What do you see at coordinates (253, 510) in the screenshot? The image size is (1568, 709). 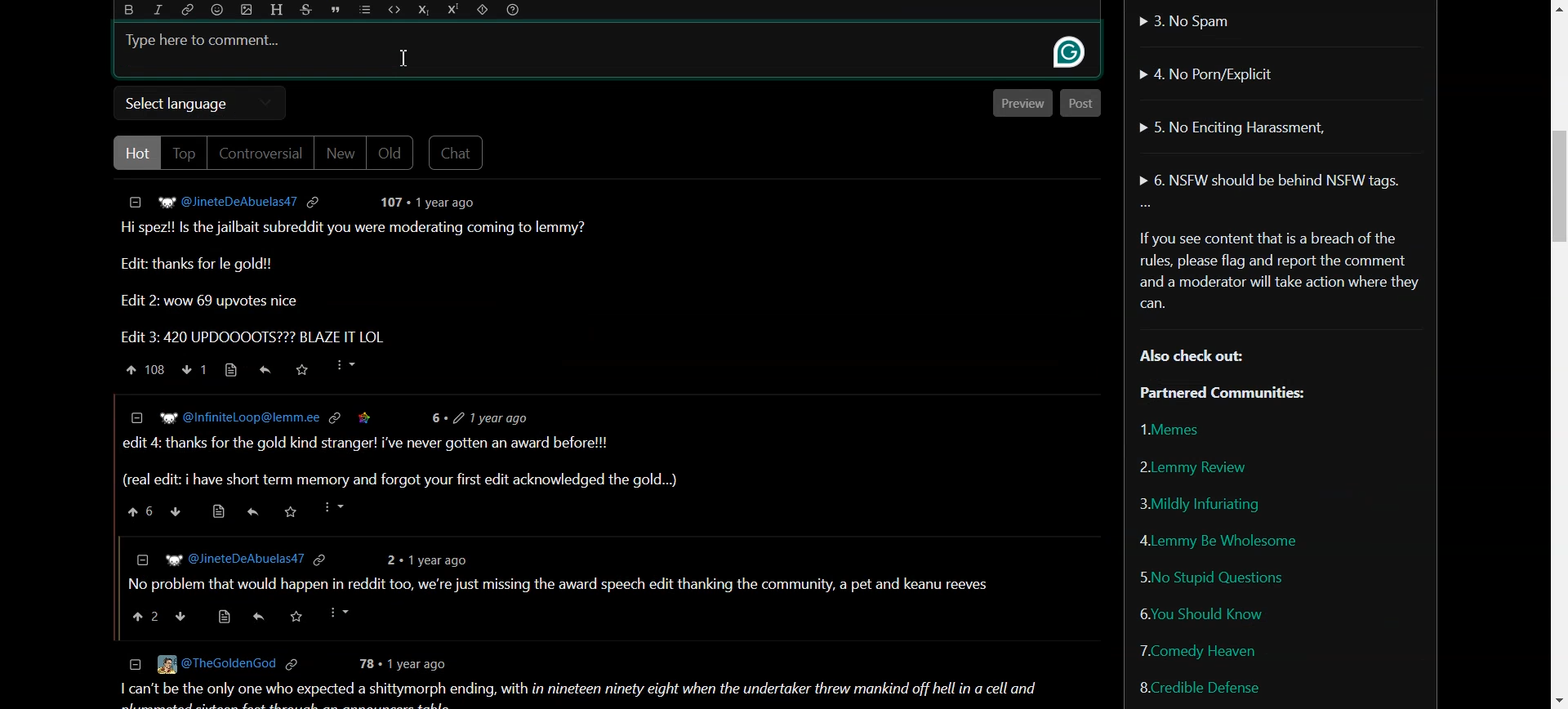 I see `reply` at bounding box center [253, 510].